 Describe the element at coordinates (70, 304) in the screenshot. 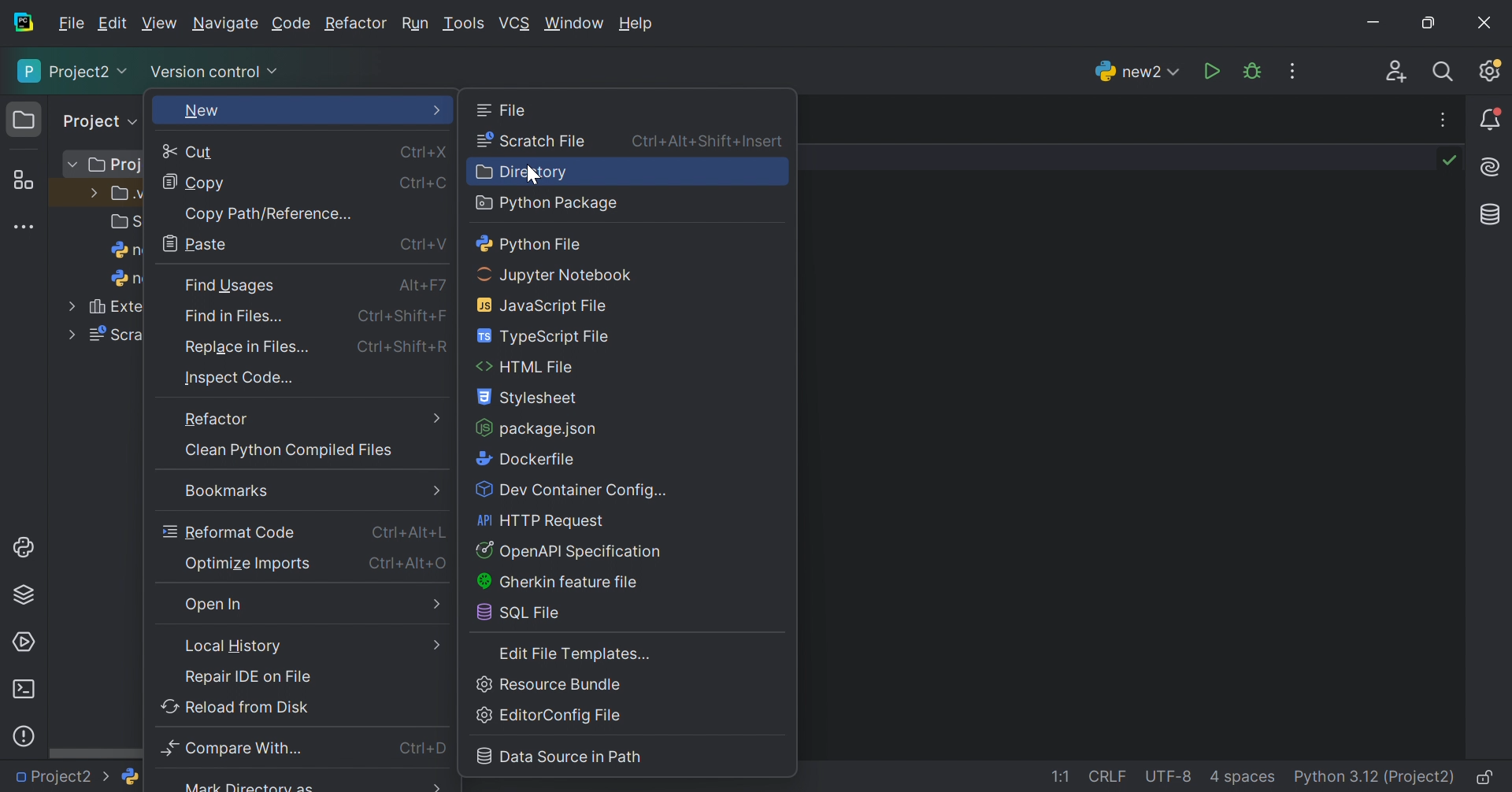

I see `More` at that location.